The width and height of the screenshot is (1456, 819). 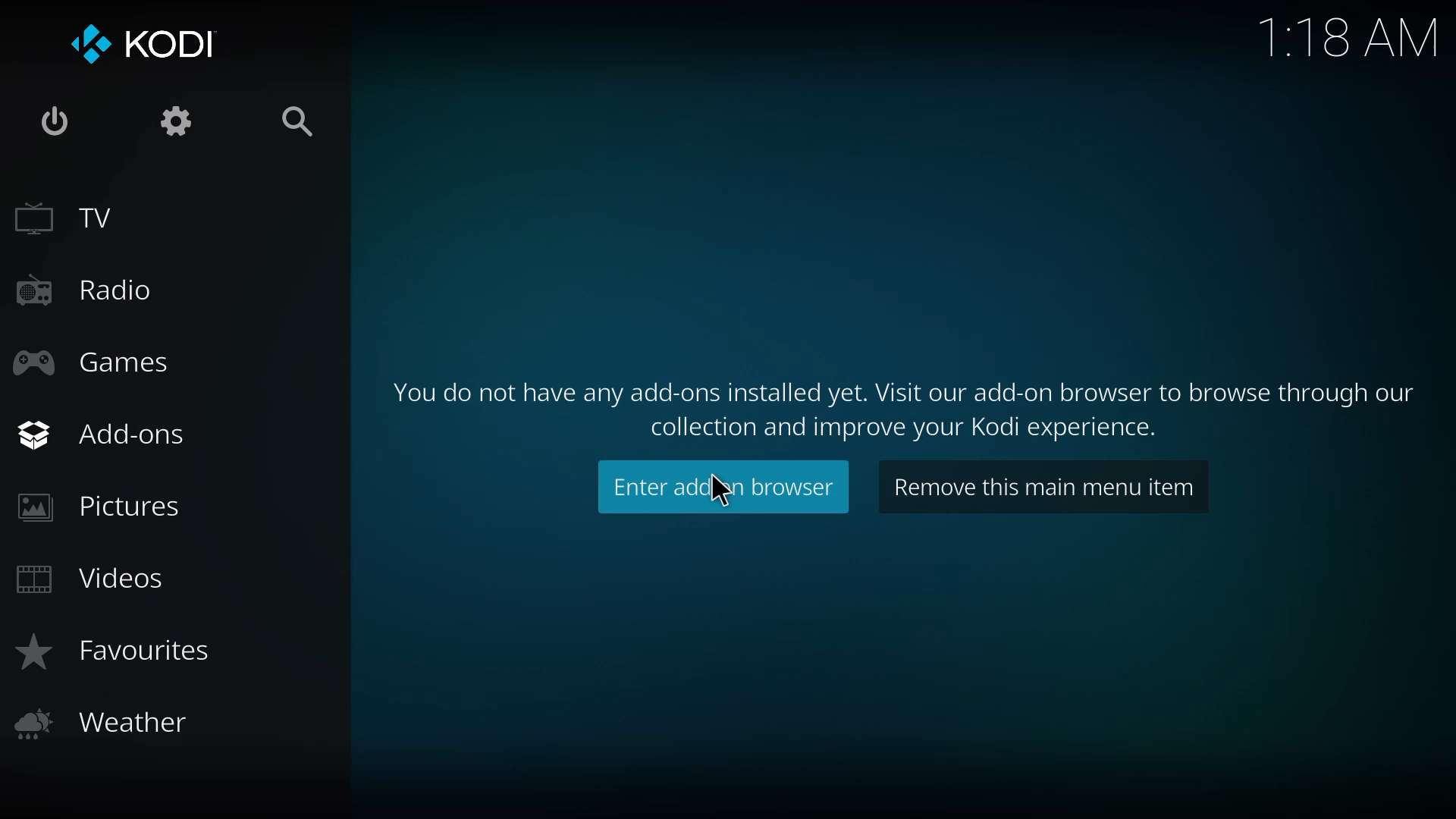 What do you see at coordinates (153, 42) in the screenshot?
I see `kodi` at bounding box center [153, 42].